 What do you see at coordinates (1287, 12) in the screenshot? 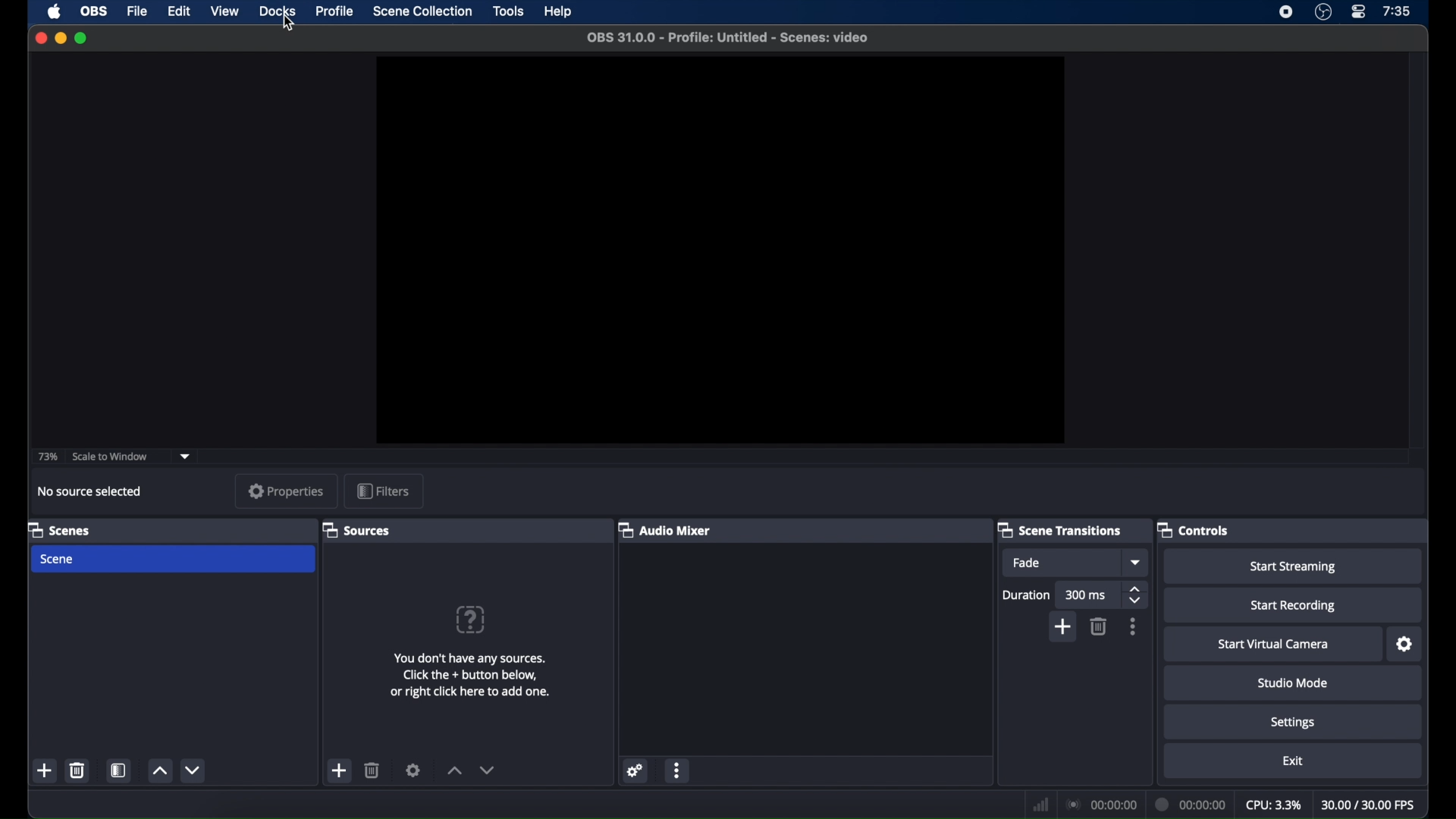
I see `screen recorder icon` at bounding box center [1287, 12].